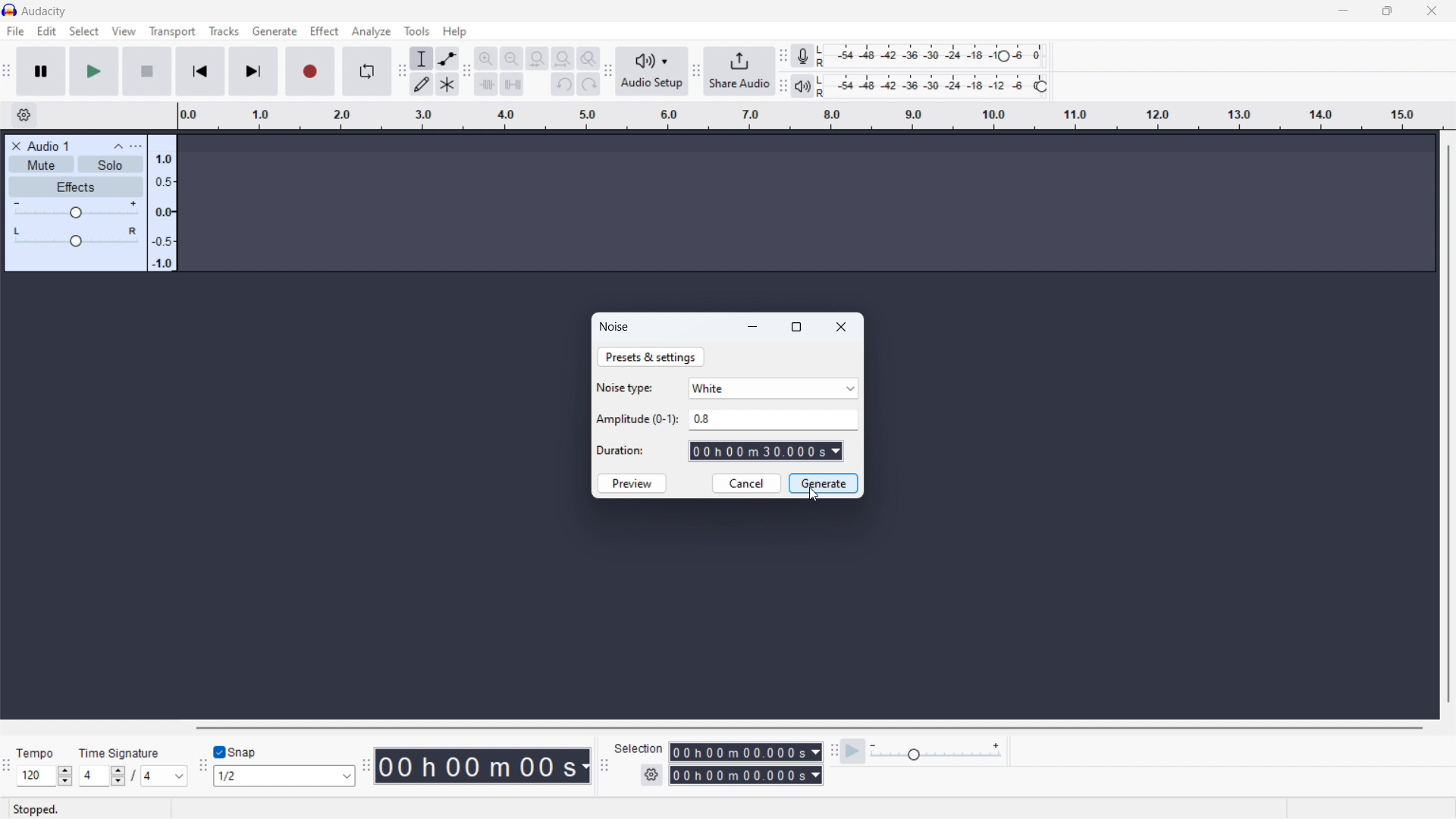 Image resolution: width=1456 pixels, height=819 pixels. I want to click on minimize Audacity, so click(1345, 11).